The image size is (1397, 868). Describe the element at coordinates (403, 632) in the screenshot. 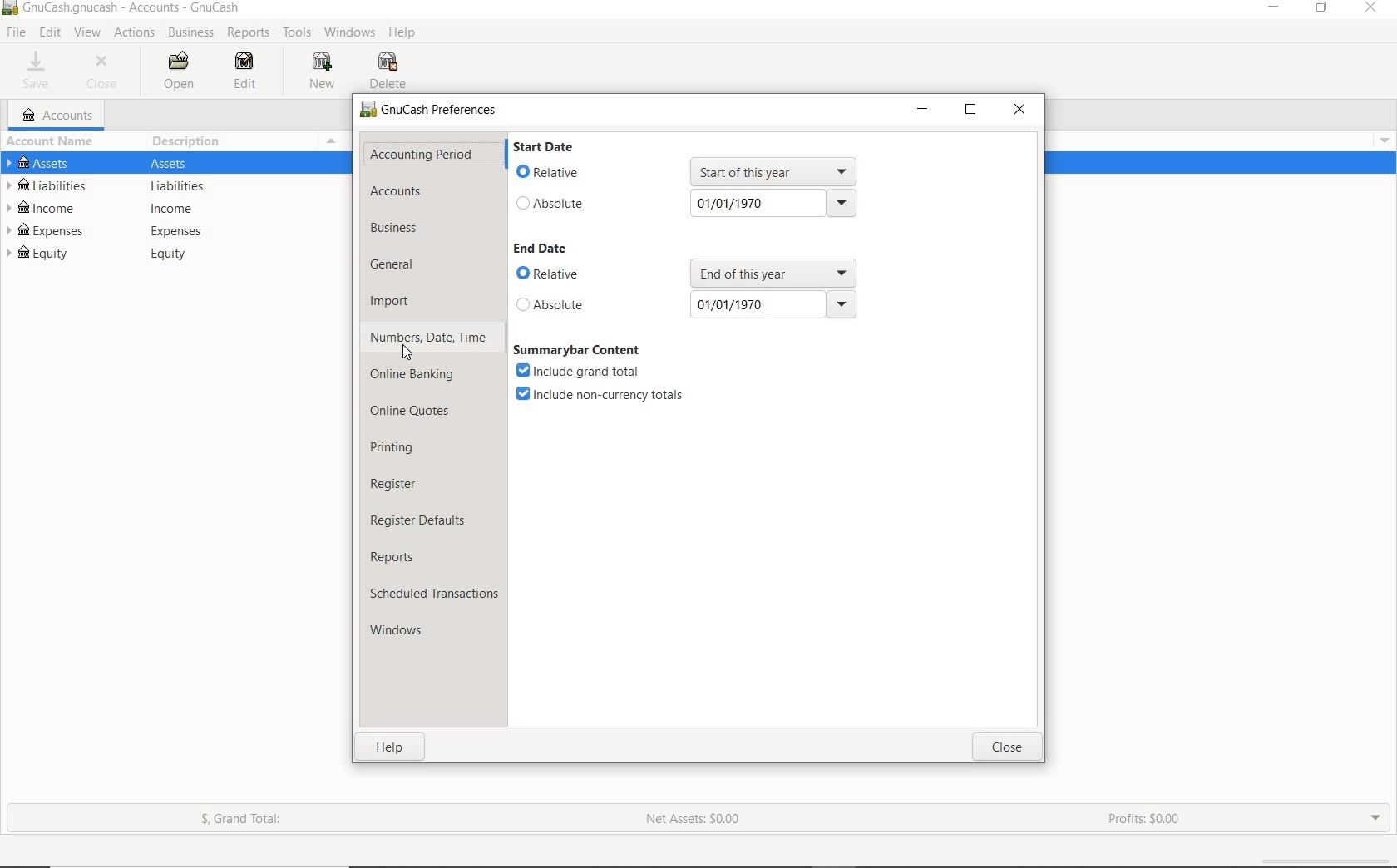

I see `windows` at that location.